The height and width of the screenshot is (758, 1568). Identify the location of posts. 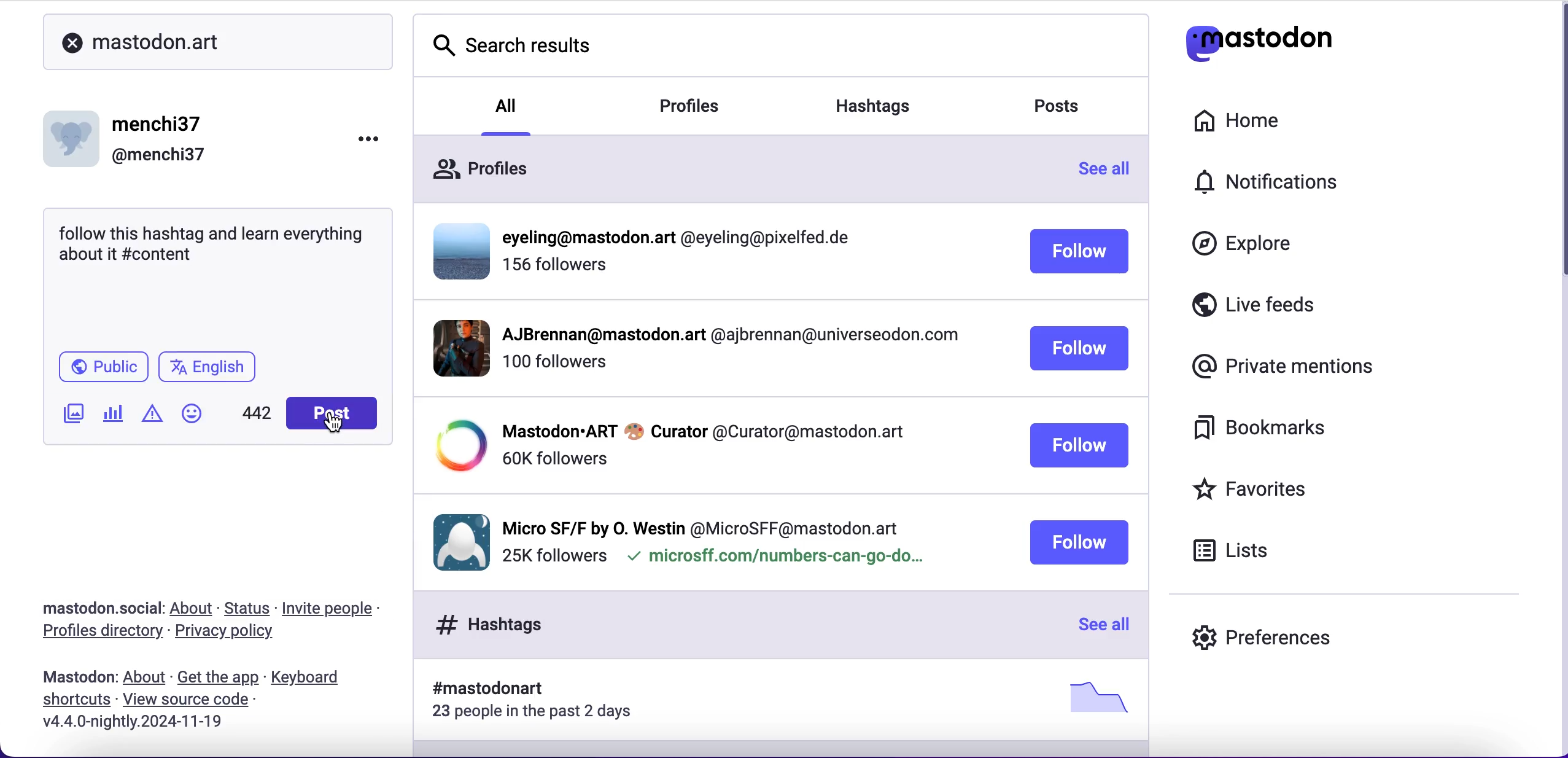
(1068, 109).